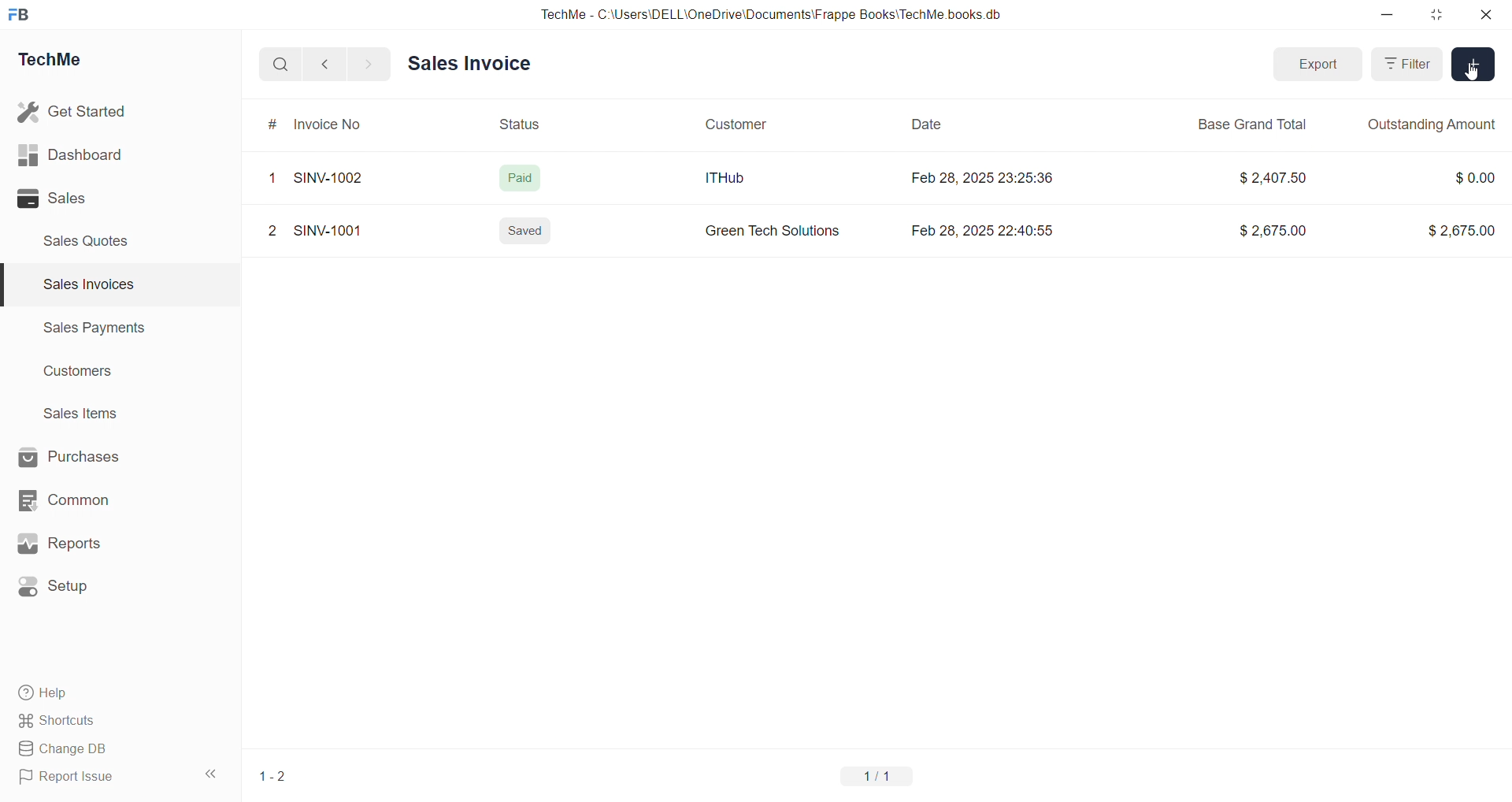  What do you see at coordinates (348, 63) in the screenshot?
I see `Forward/Backward` at bounding box center [348, 63].